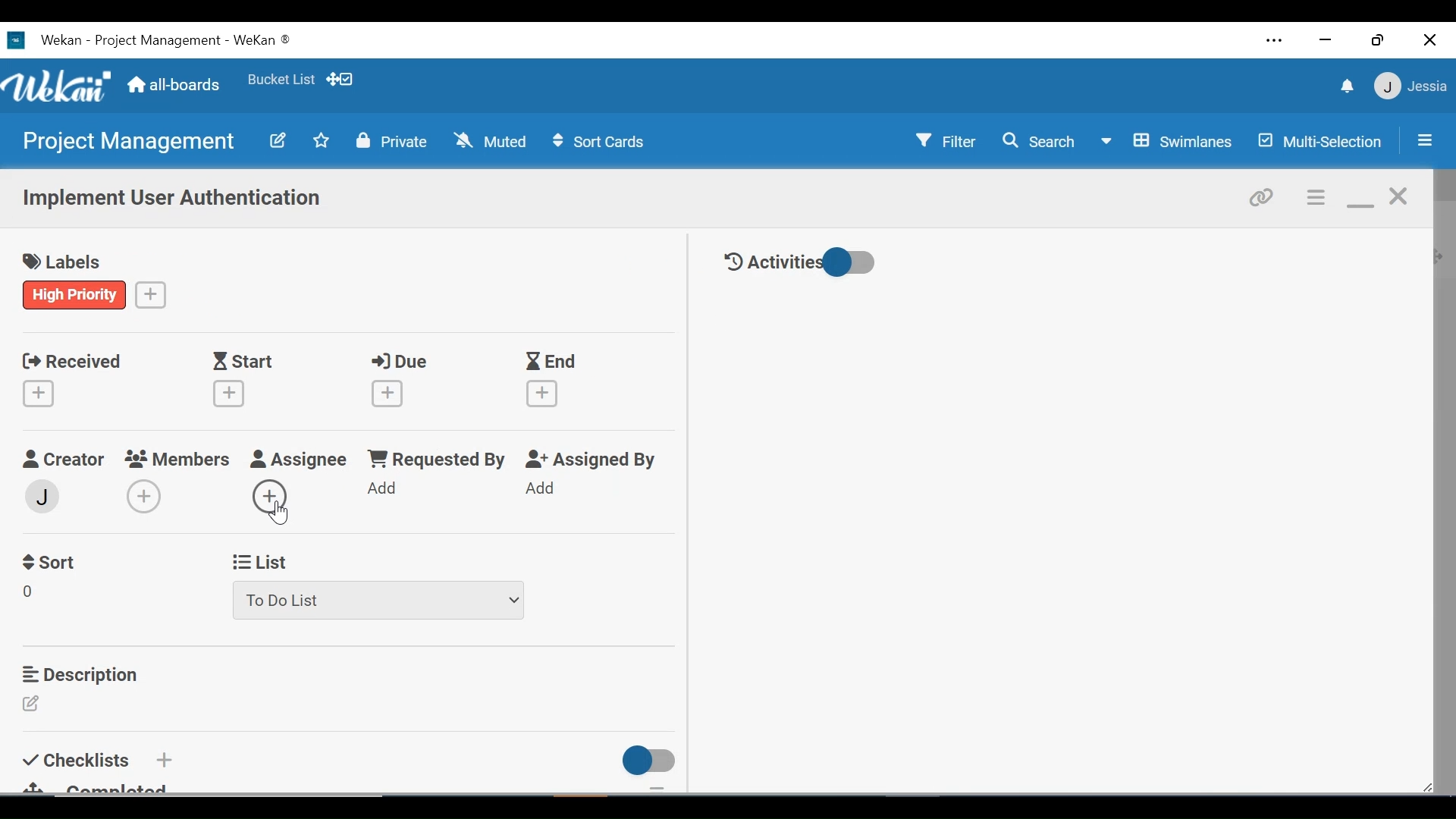  Describe the element at coordinates (1263, 196) in the screenshot. I see `Copy link to card` at that location.